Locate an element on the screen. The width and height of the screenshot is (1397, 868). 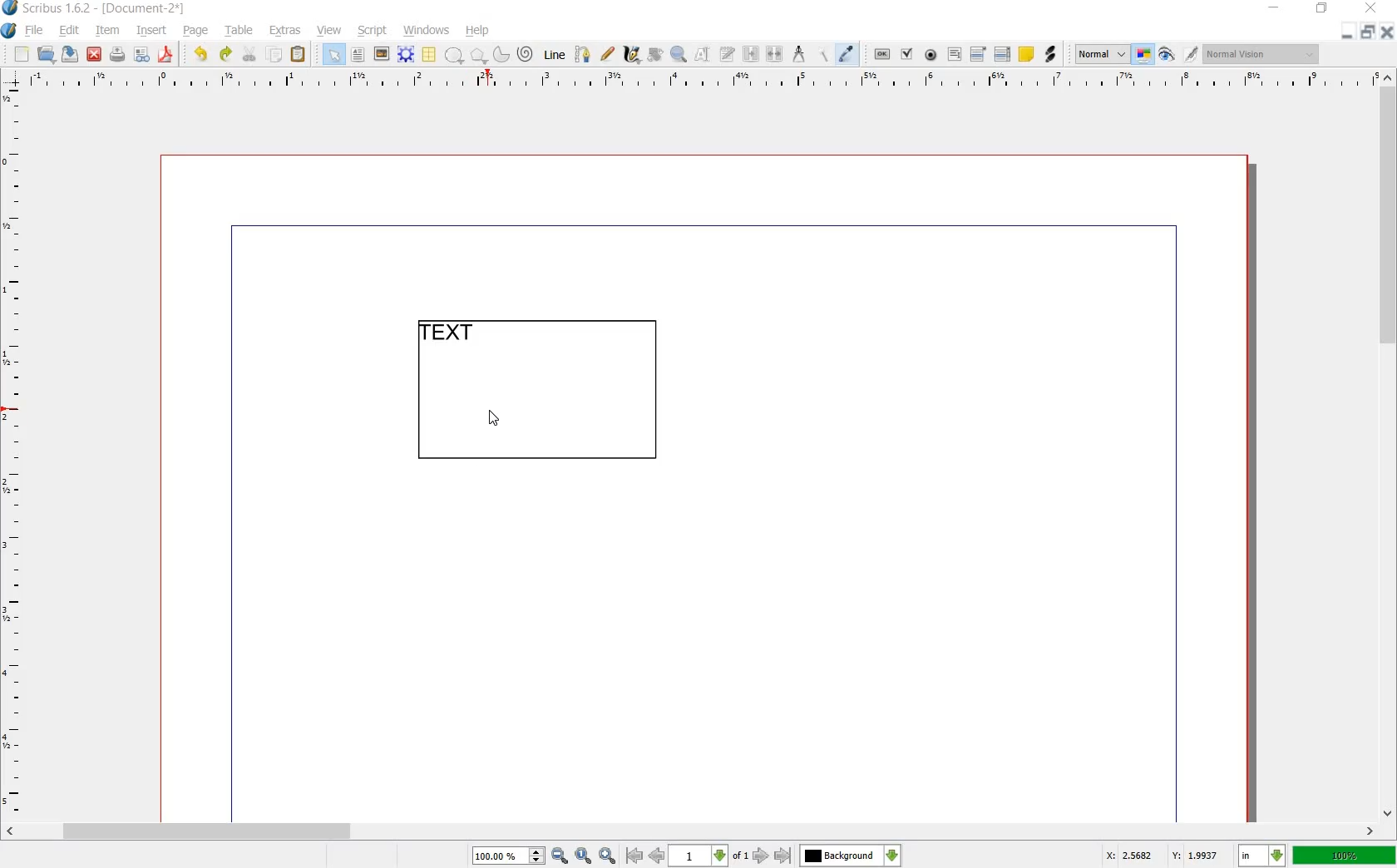
go to next or last page is located at coordinates (771, 856).